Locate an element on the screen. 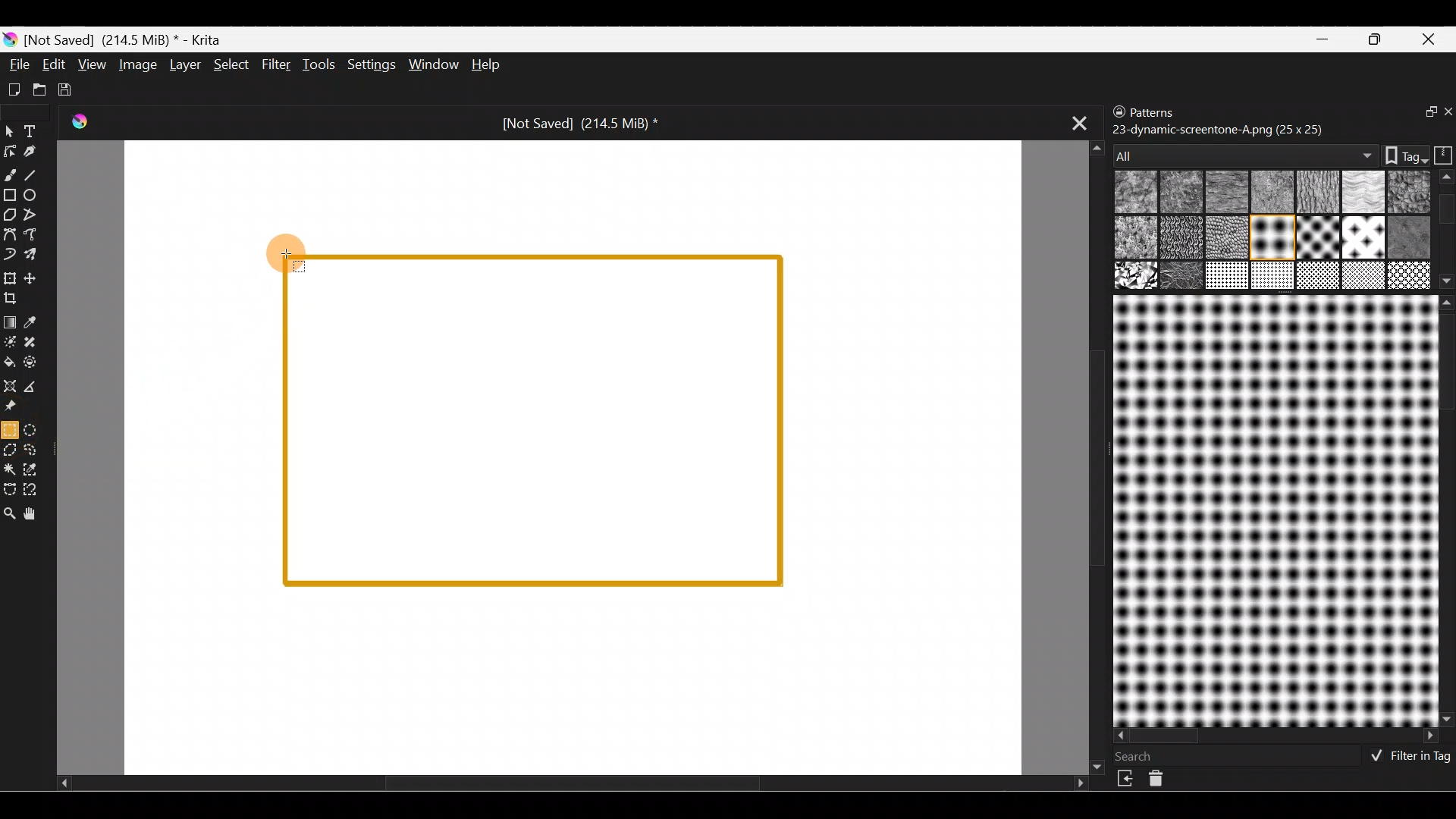 The height and width of the screenshot is (819, 1456). Dynamic brush tool is located at coordinates (10, 255).